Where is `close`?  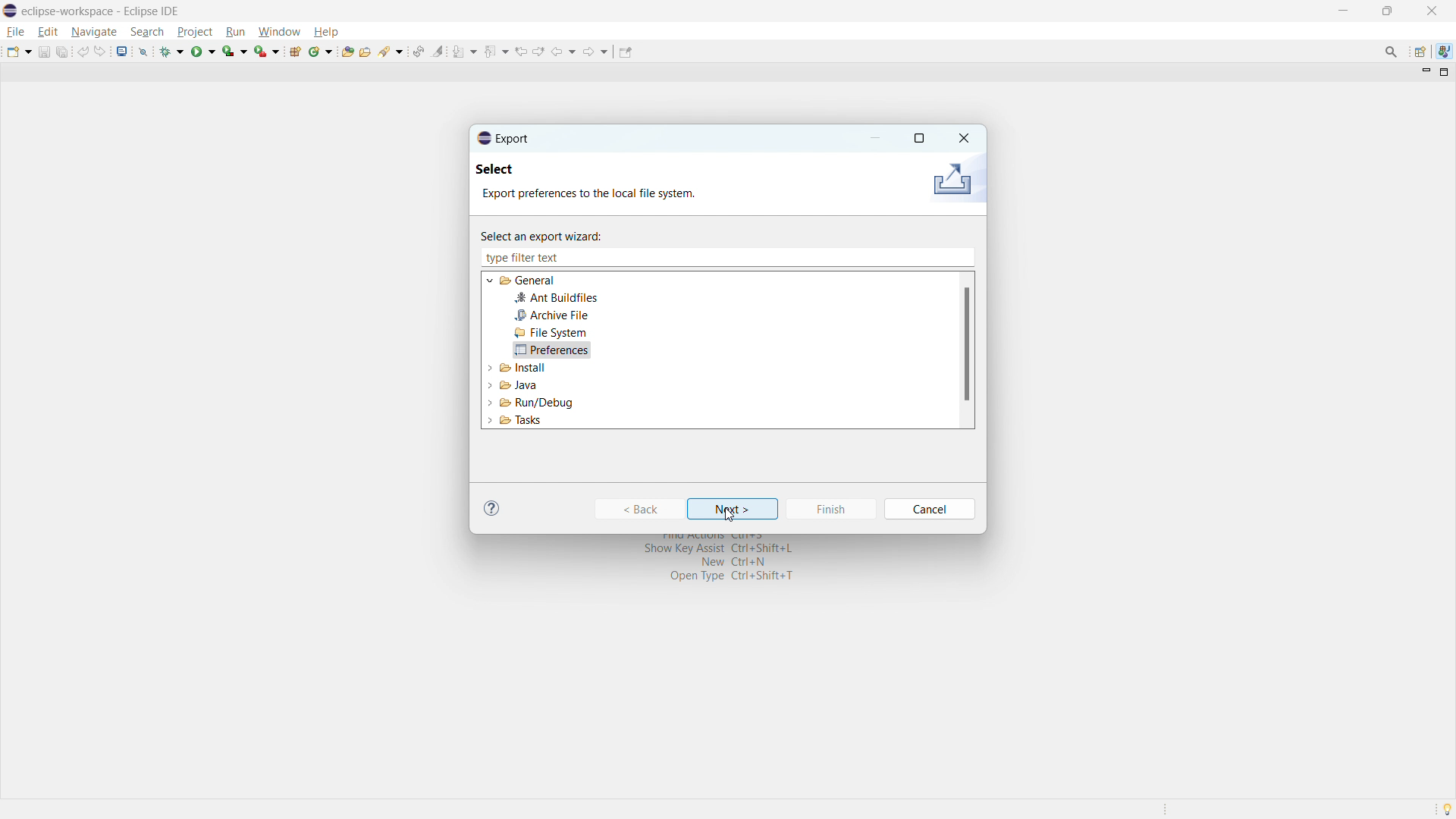 close is located at coordinates (1431, 11).